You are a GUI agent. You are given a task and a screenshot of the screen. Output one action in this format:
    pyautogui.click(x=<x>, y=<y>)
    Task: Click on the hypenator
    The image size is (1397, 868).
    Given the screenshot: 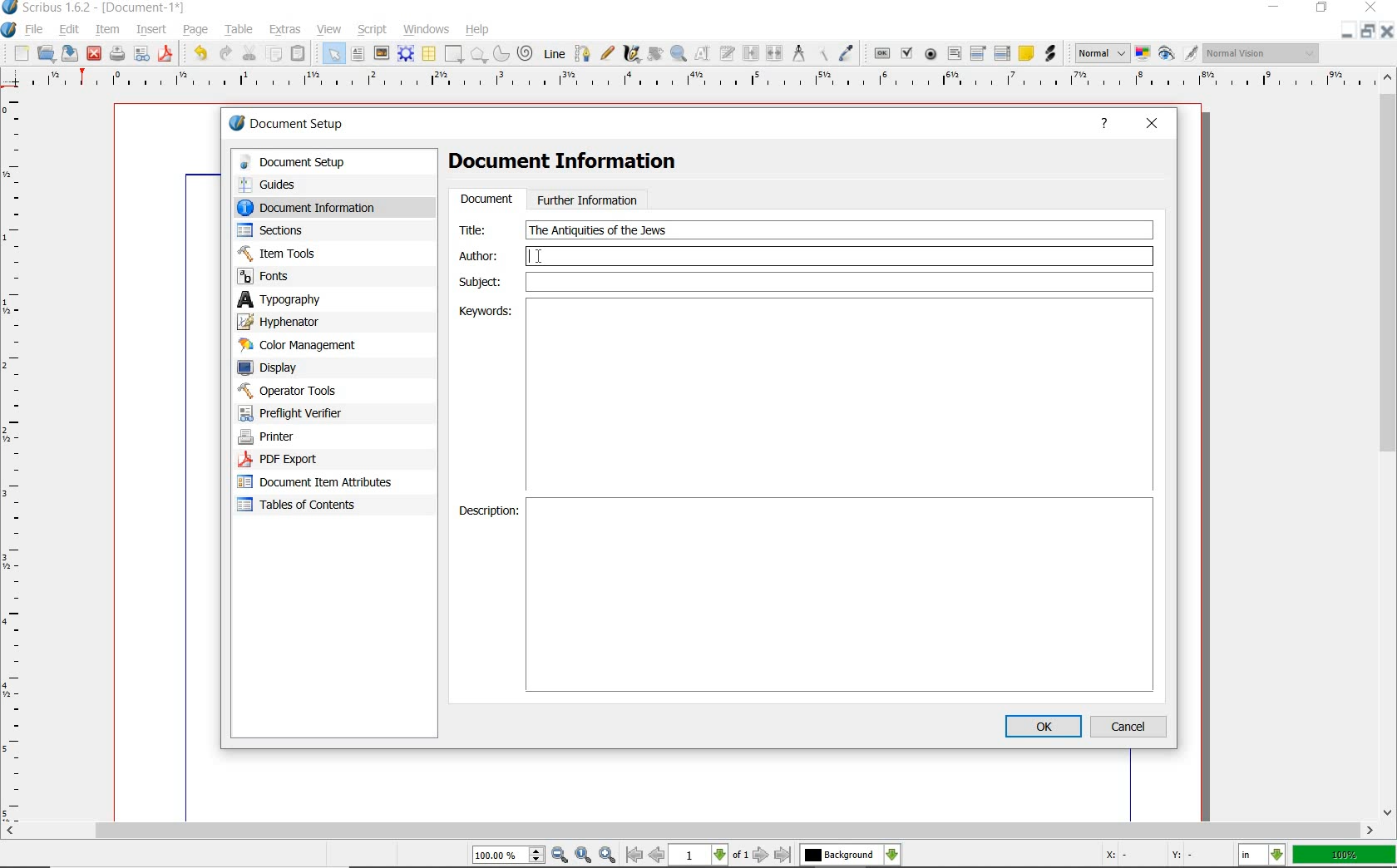 What is the action you would take?
    pyautogui.click(x=291, y=322)
    